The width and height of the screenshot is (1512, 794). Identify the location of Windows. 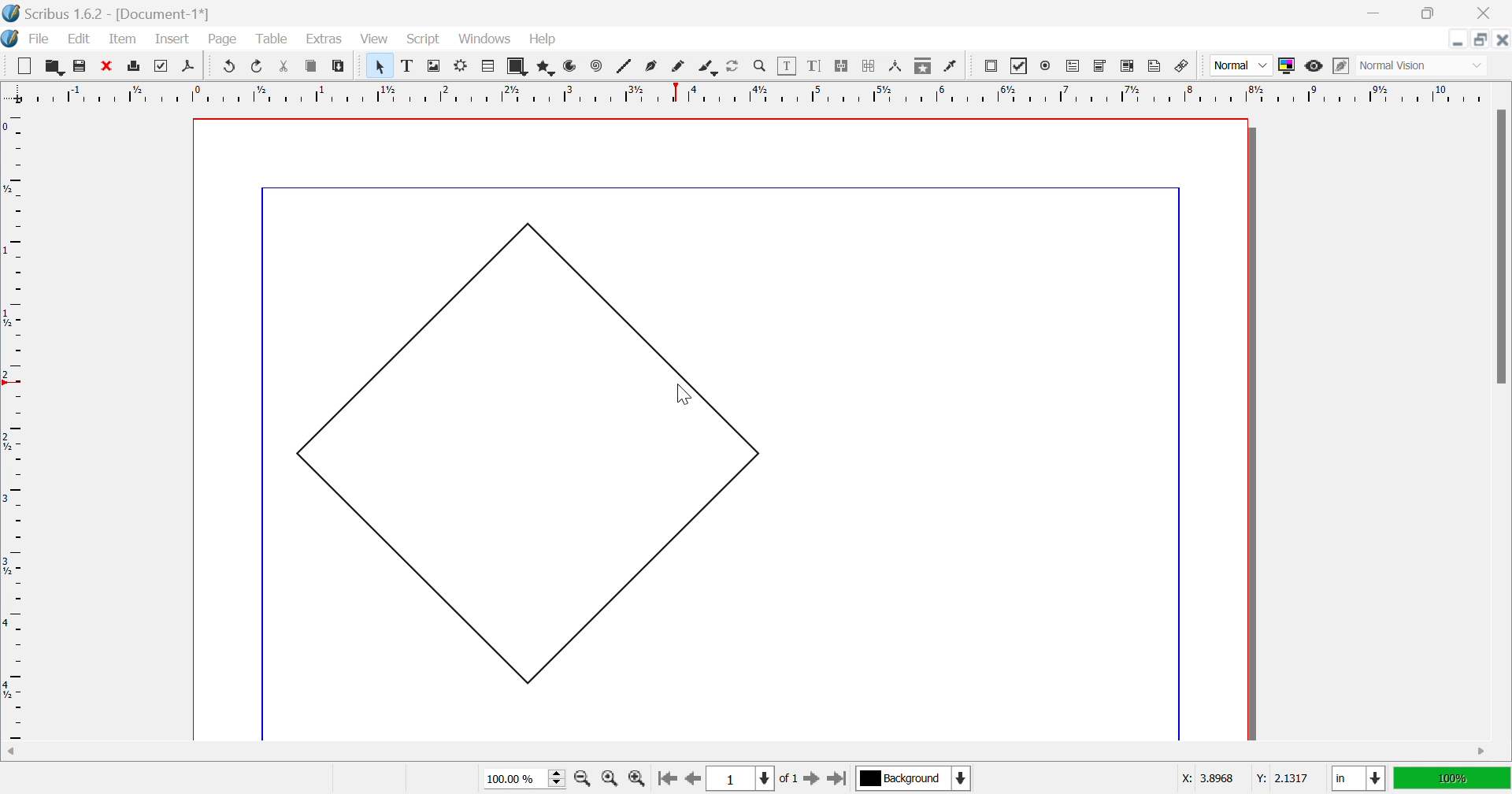
(486, 39).